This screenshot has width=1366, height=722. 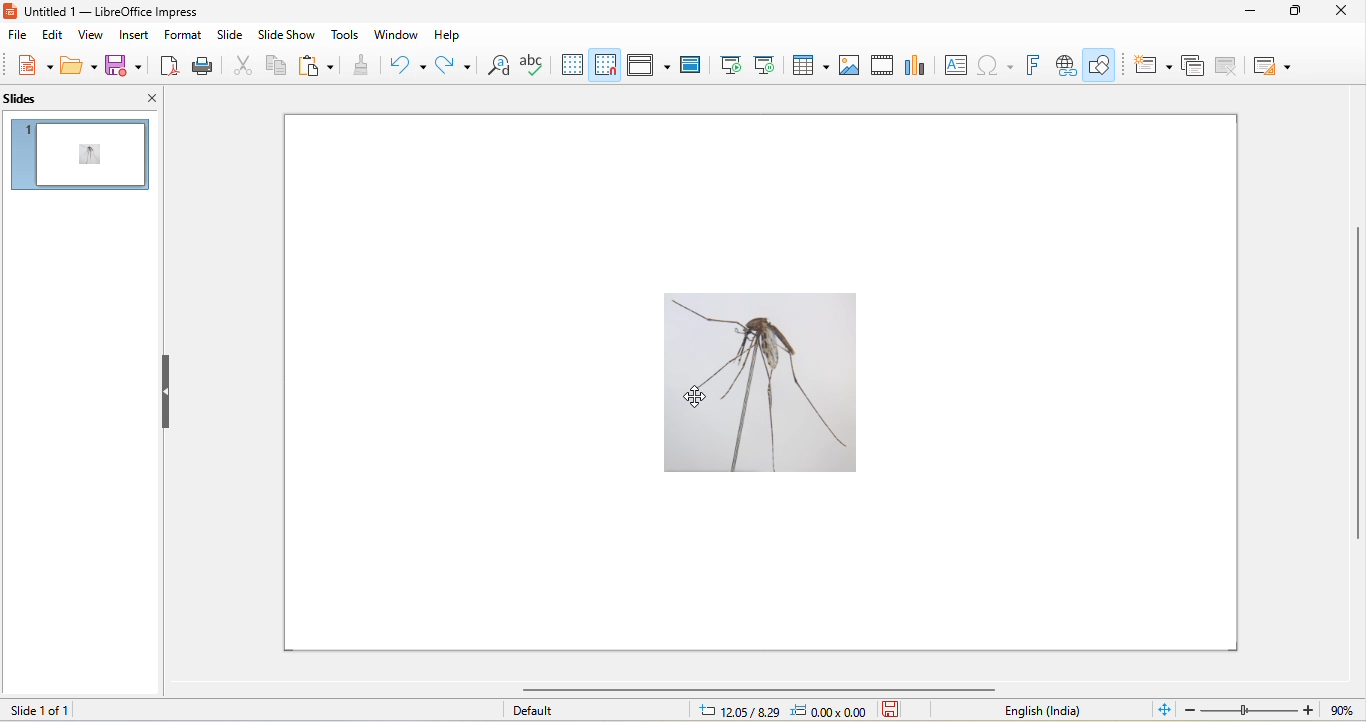 What do you see at coordinates (1256, 12) in the screenshot?
I see `minimize` at bounding box center [1256, 12].